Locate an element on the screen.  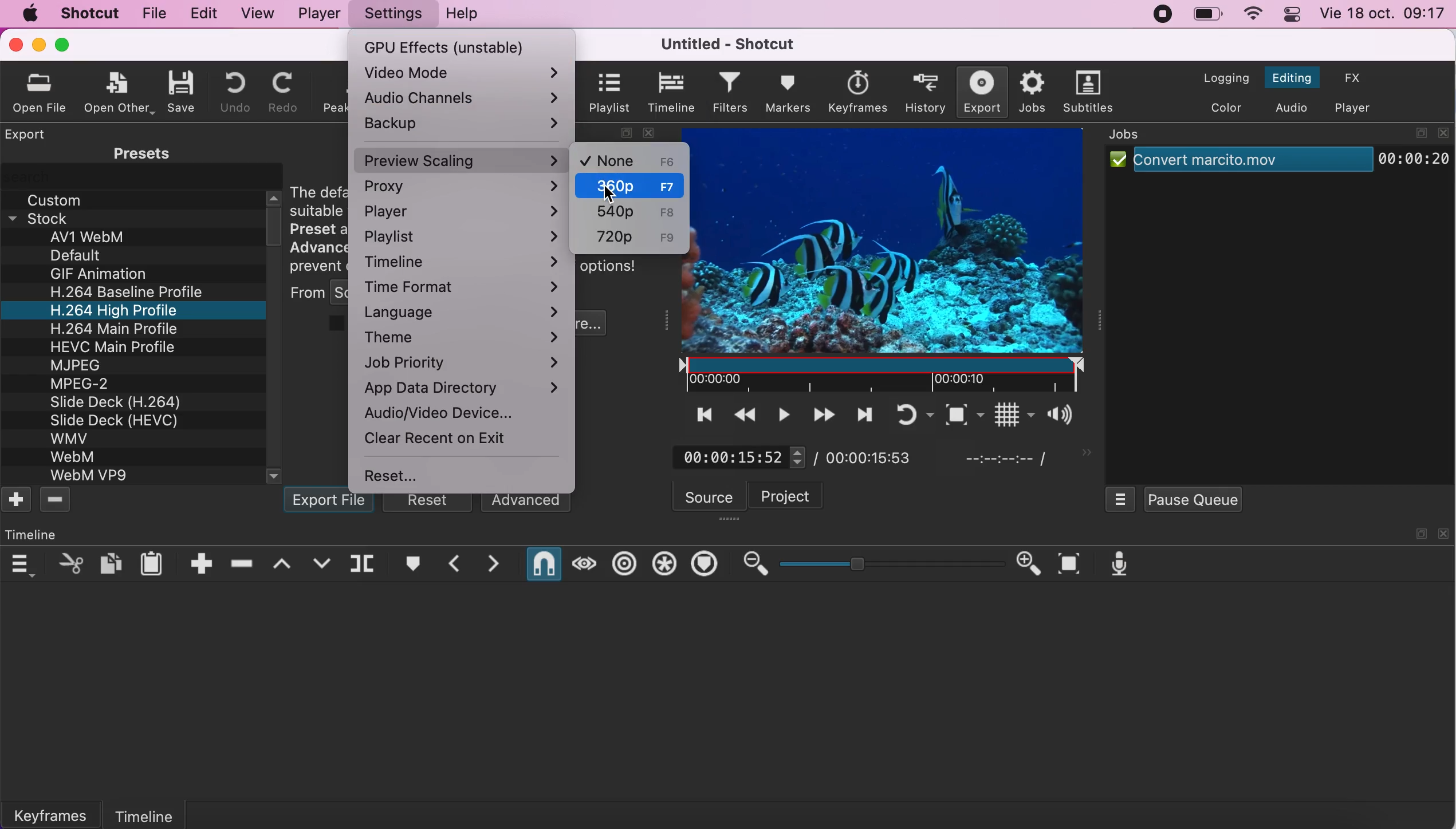
add is located at coordinates (17, 502).